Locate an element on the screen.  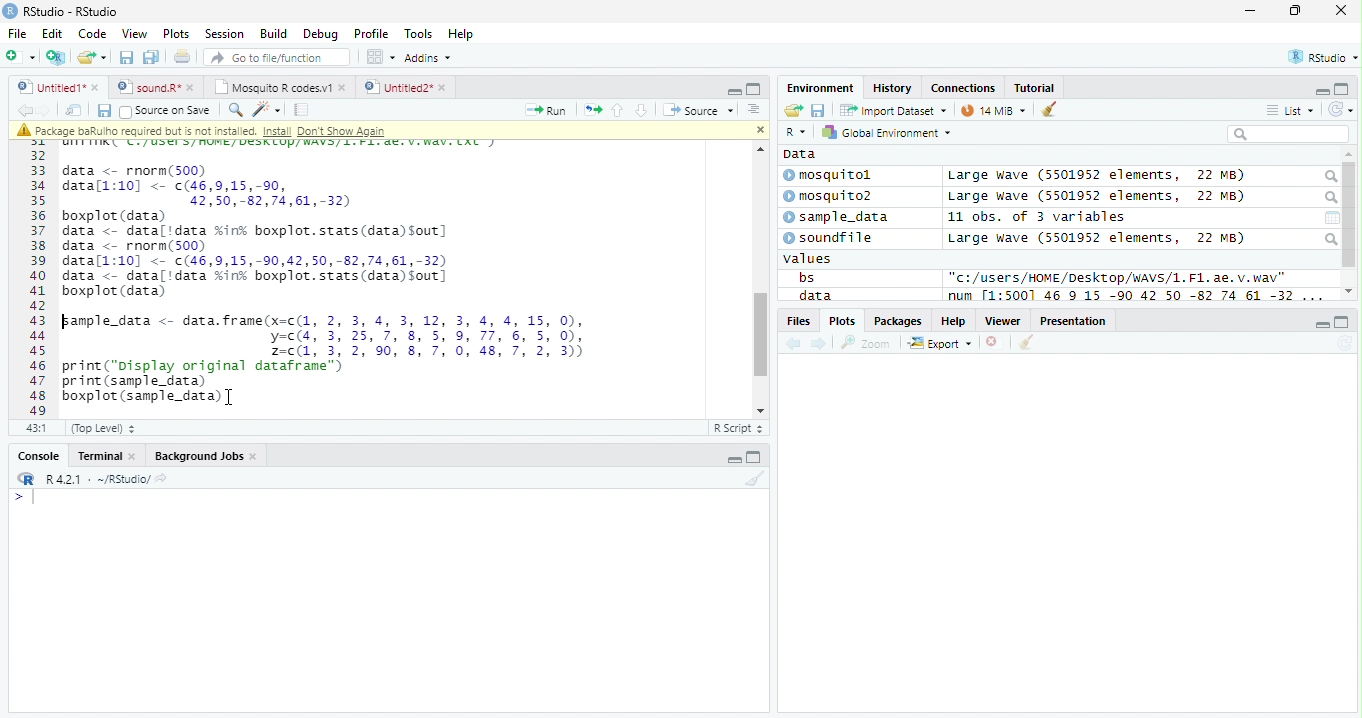
Edit is located at coordinates (53, 34).